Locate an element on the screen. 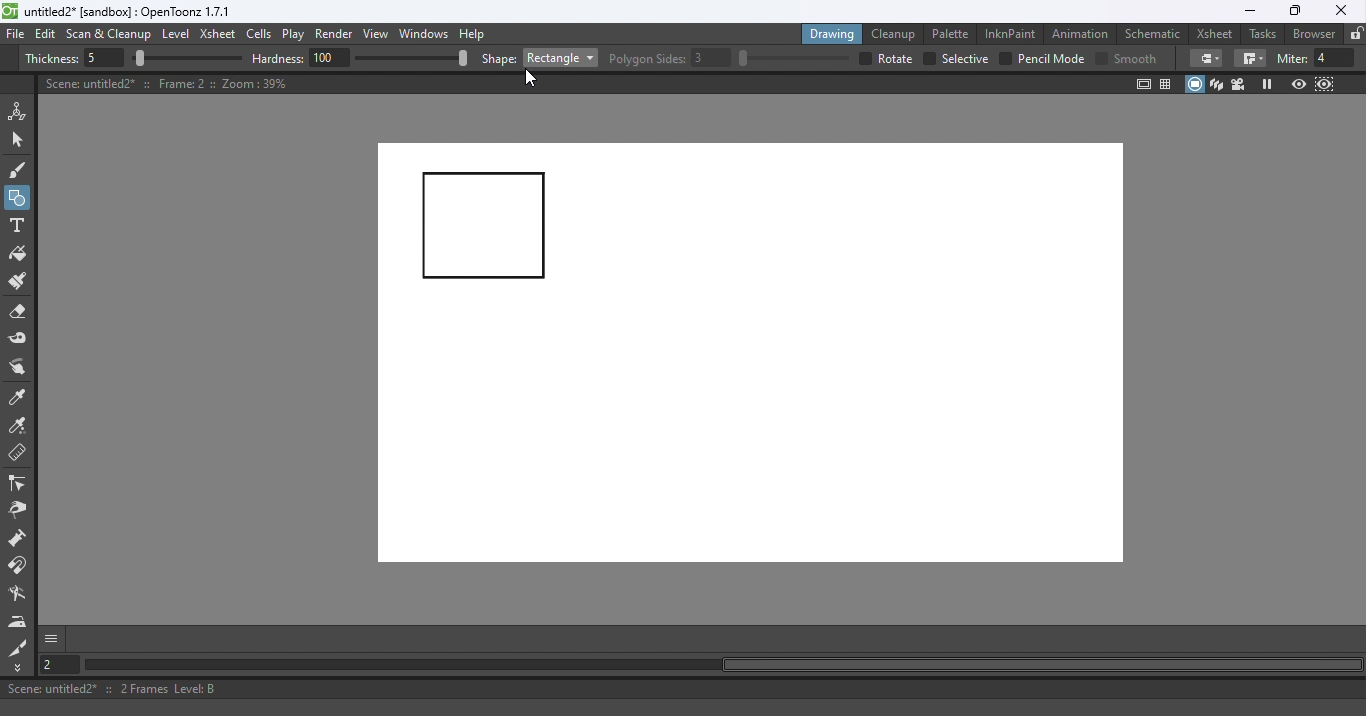 The height and width of the screenshot is (716, 1366). Cleanup is located at coordinates (897, 33).